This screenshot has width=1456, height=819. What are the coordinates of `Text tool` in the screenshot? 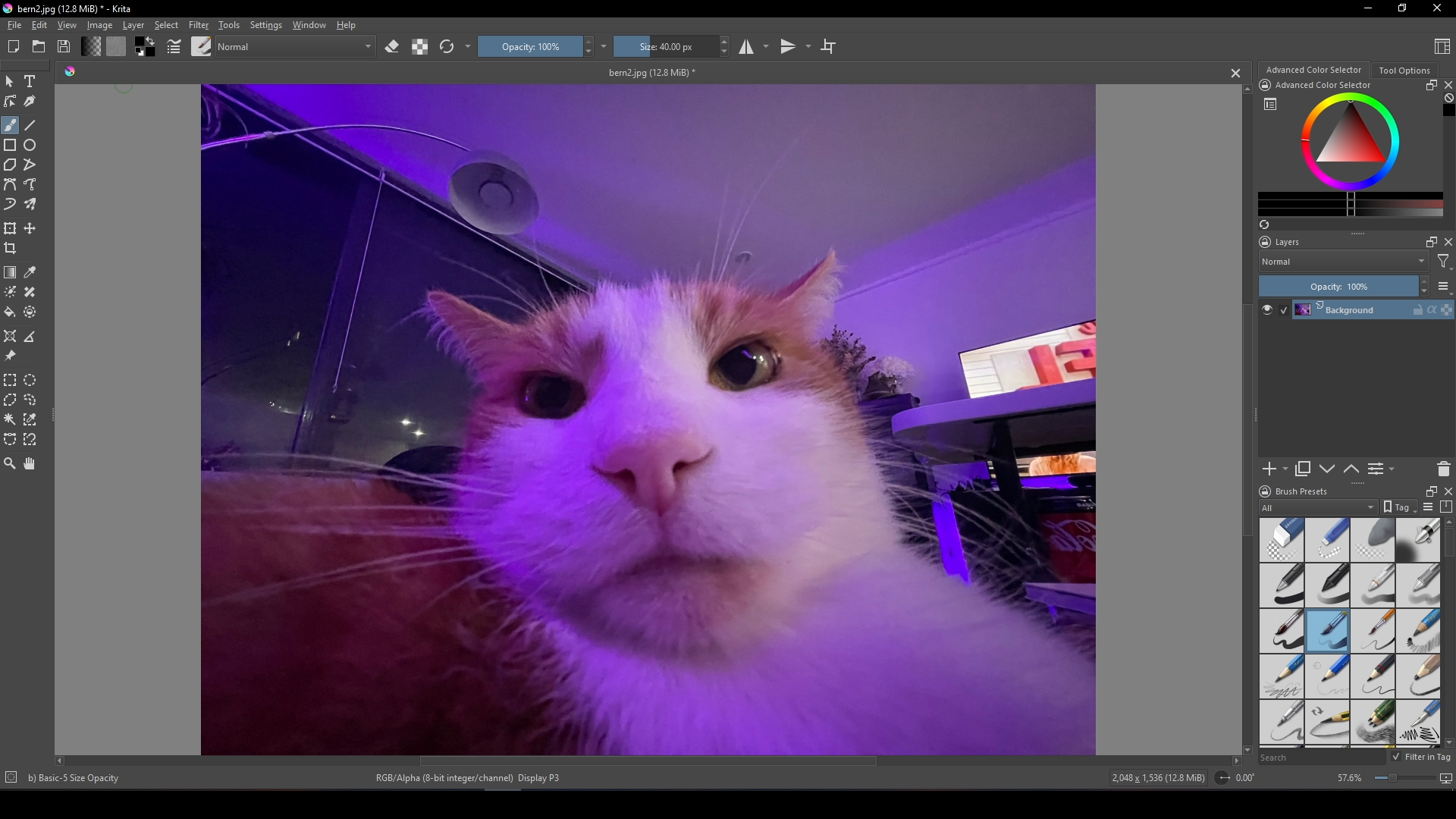 It's located at (30, 82).